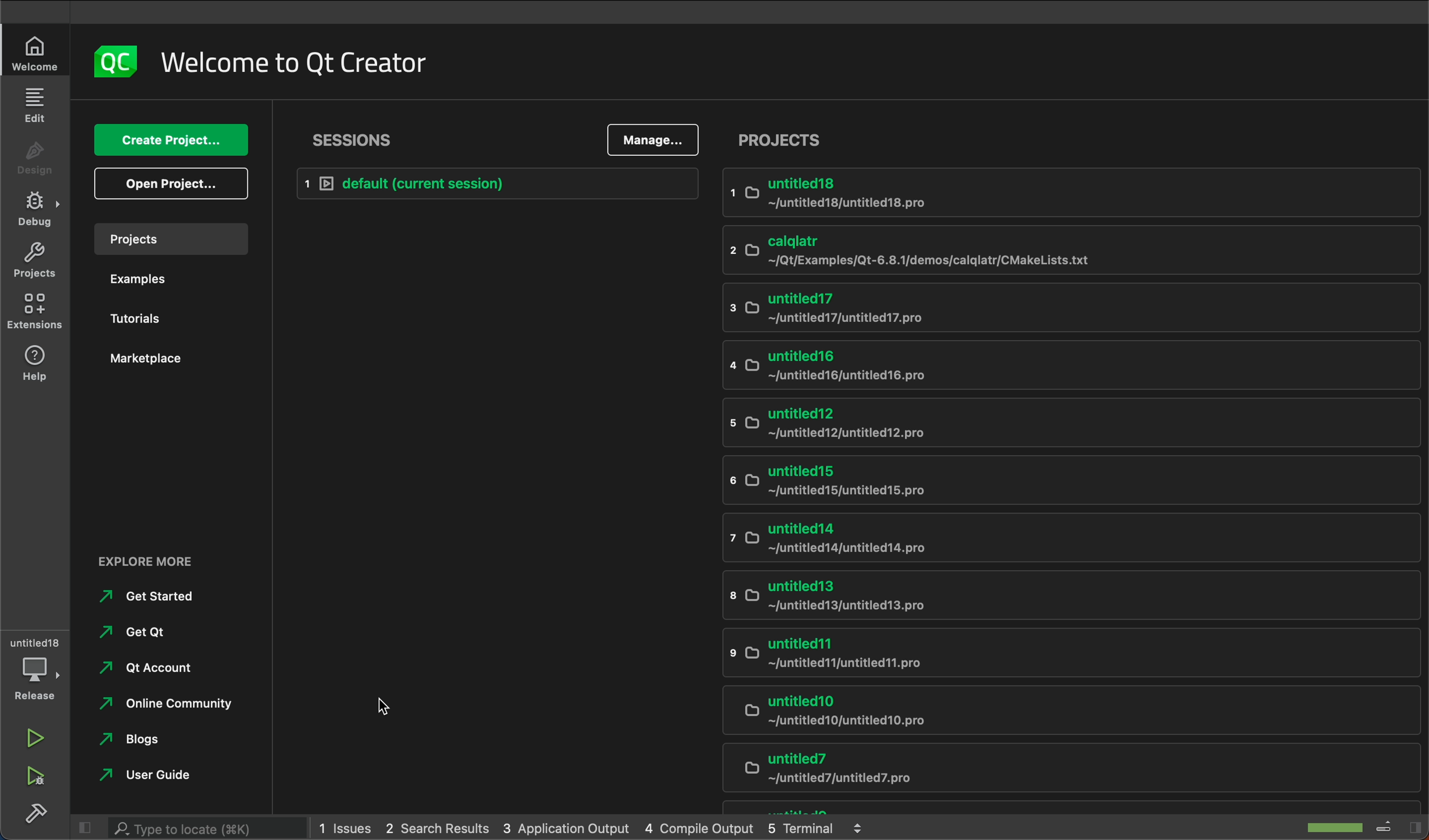 The height and width of the screenshot is (840, 1429). What do you see at coordinates (168, 320) in the screenshot?
I see `tutorials` at bounding box center [168, 320].